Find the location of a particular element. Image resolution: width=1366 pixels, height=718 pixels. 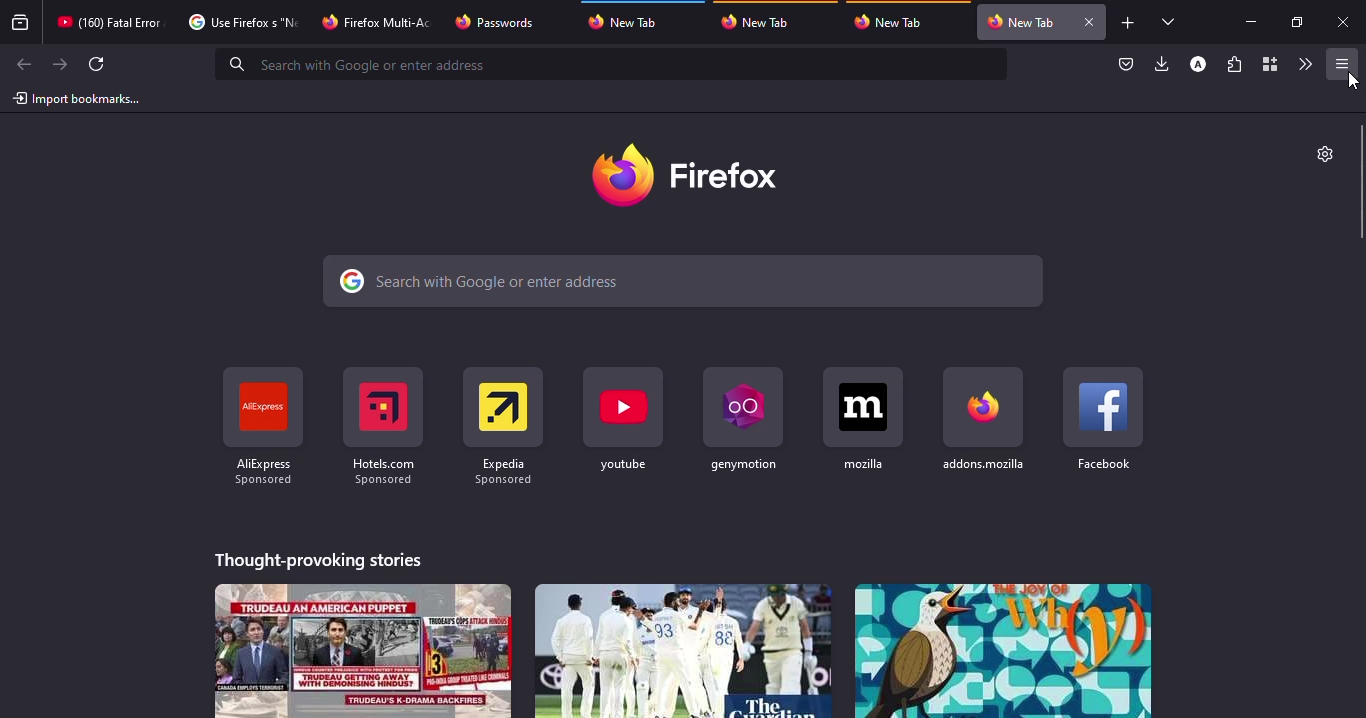

add tab is located at coordinates (1128, 23).